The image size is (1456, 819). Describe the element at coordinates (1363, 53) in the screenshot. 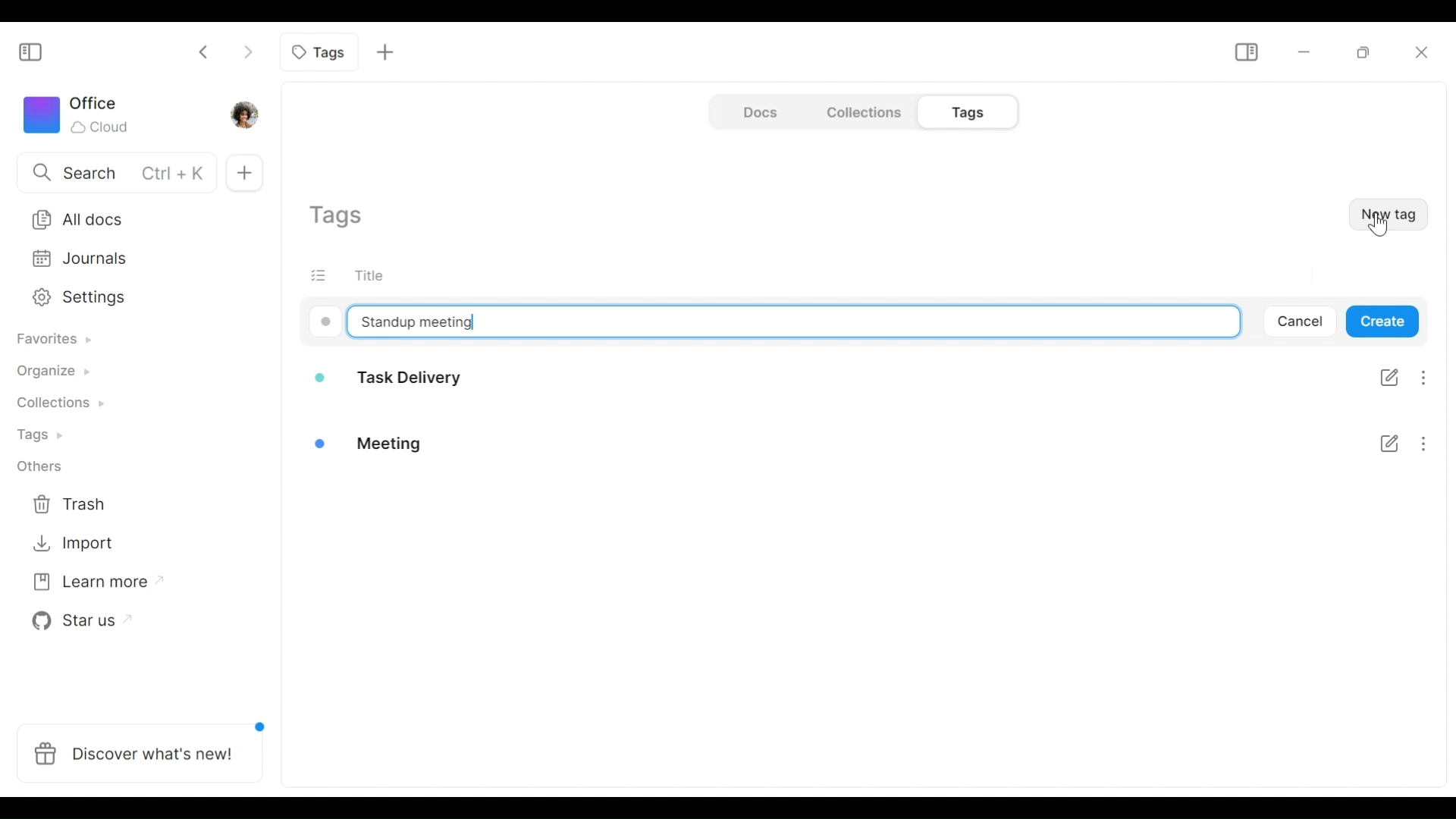

I see `Restore` at that location.